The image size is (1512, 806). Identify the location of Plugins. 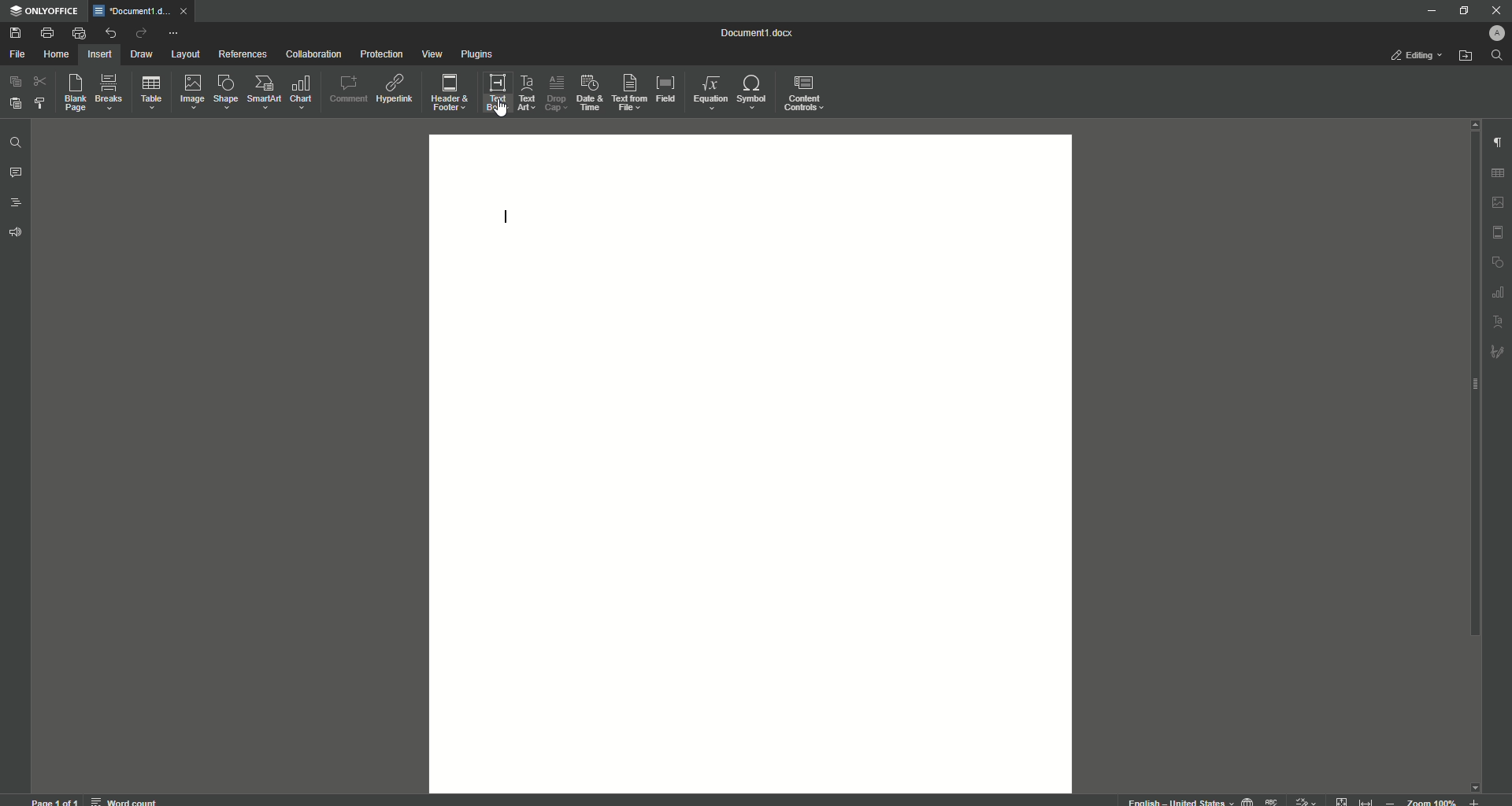
(478, 55).